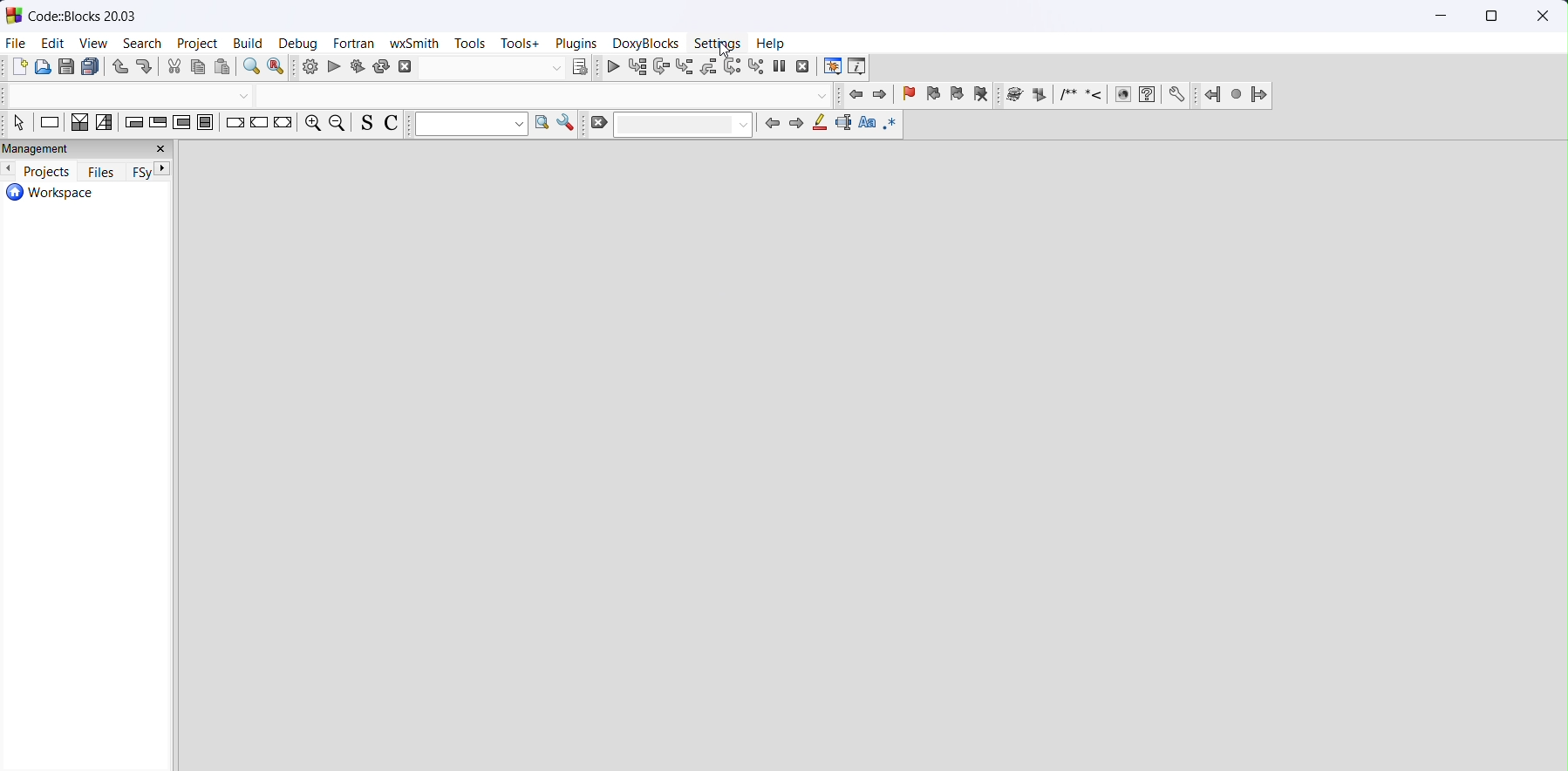  I want to click on fortan, so click(356, 44).